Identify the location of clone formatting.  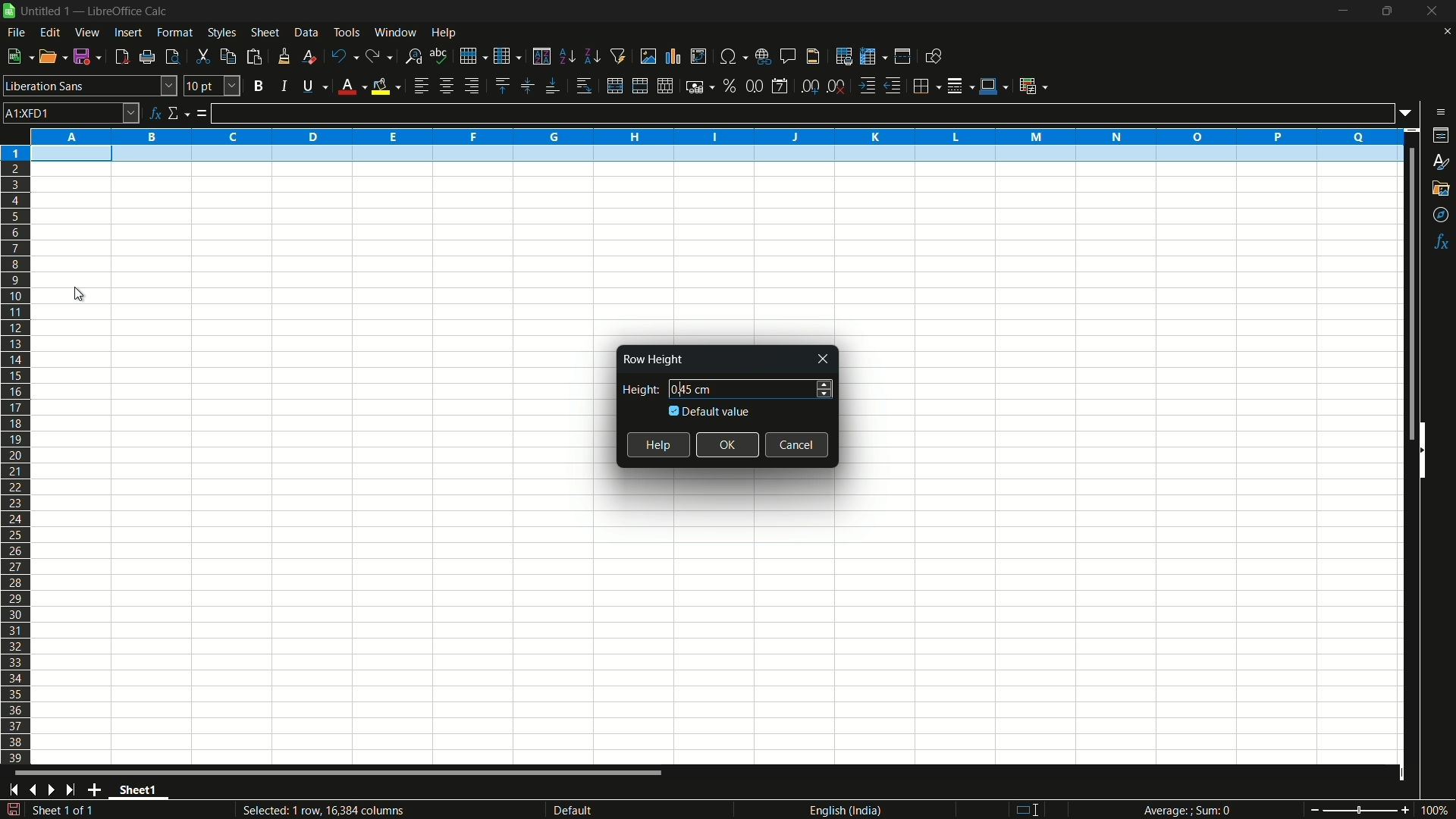
(284, 56).